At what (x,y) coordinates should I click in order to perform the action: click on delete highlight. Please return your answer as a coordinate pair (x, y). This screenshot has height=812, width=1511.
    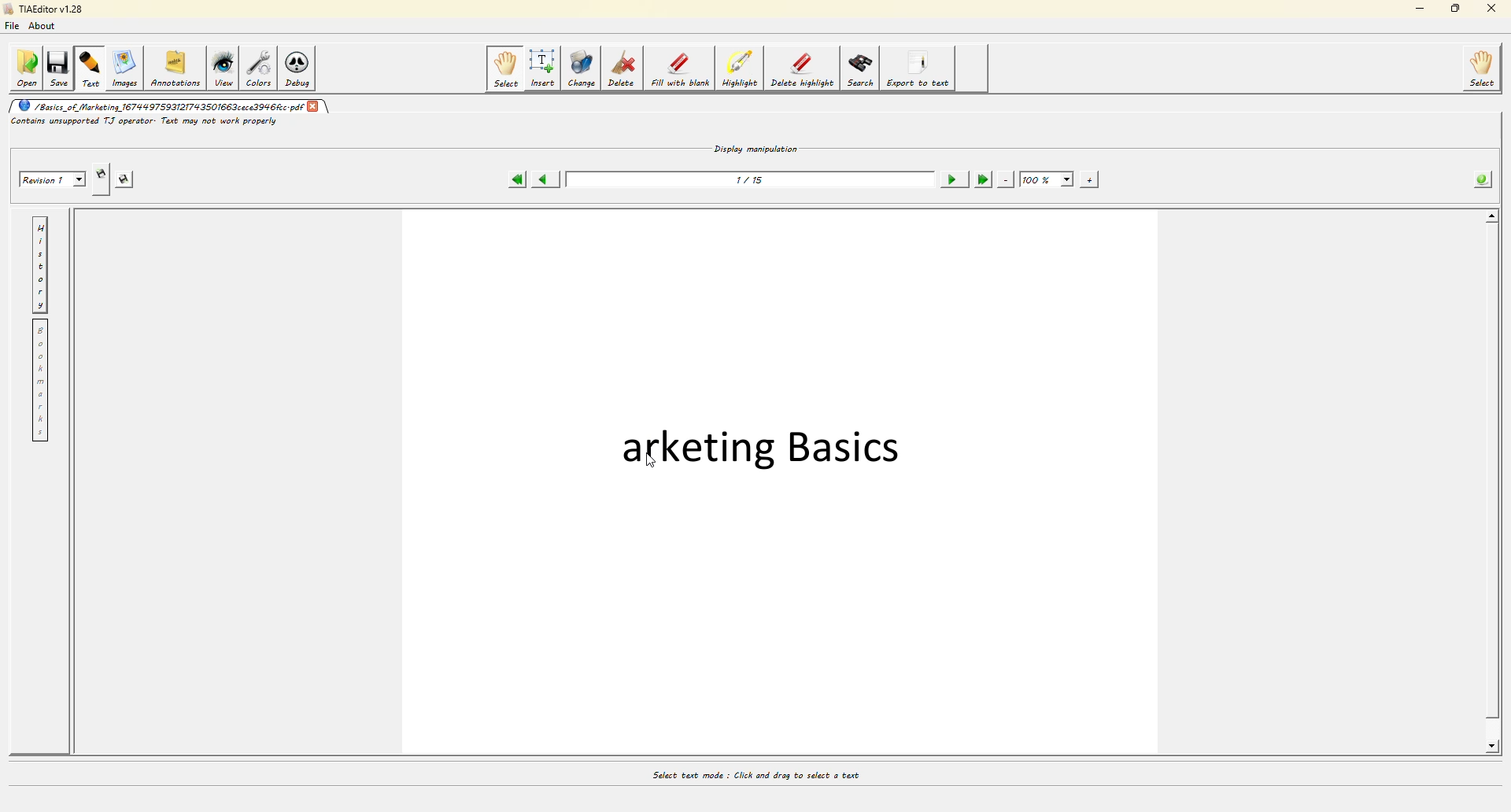
    Looking at the image, I should click on (801, 69).